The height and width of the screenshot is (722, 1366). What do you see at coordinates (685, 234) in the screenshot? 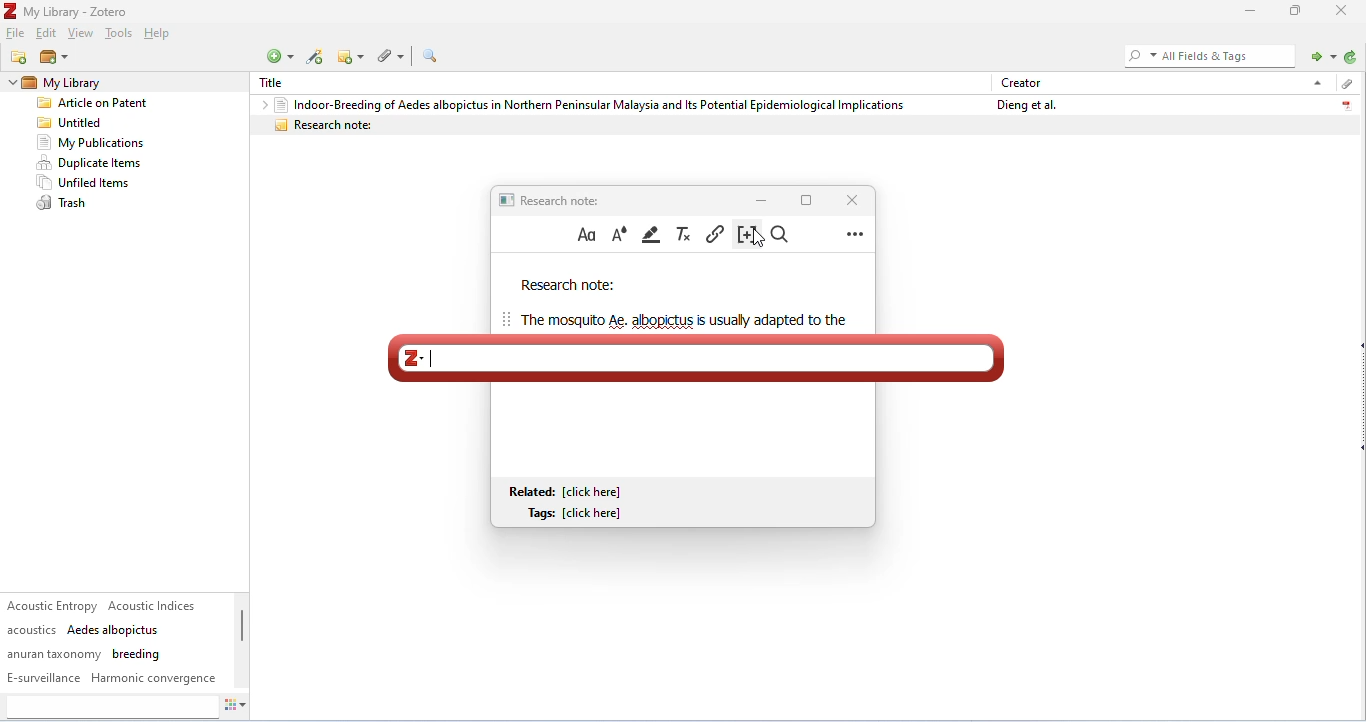
I see `clear formatting` at bounding box center [685, 234].